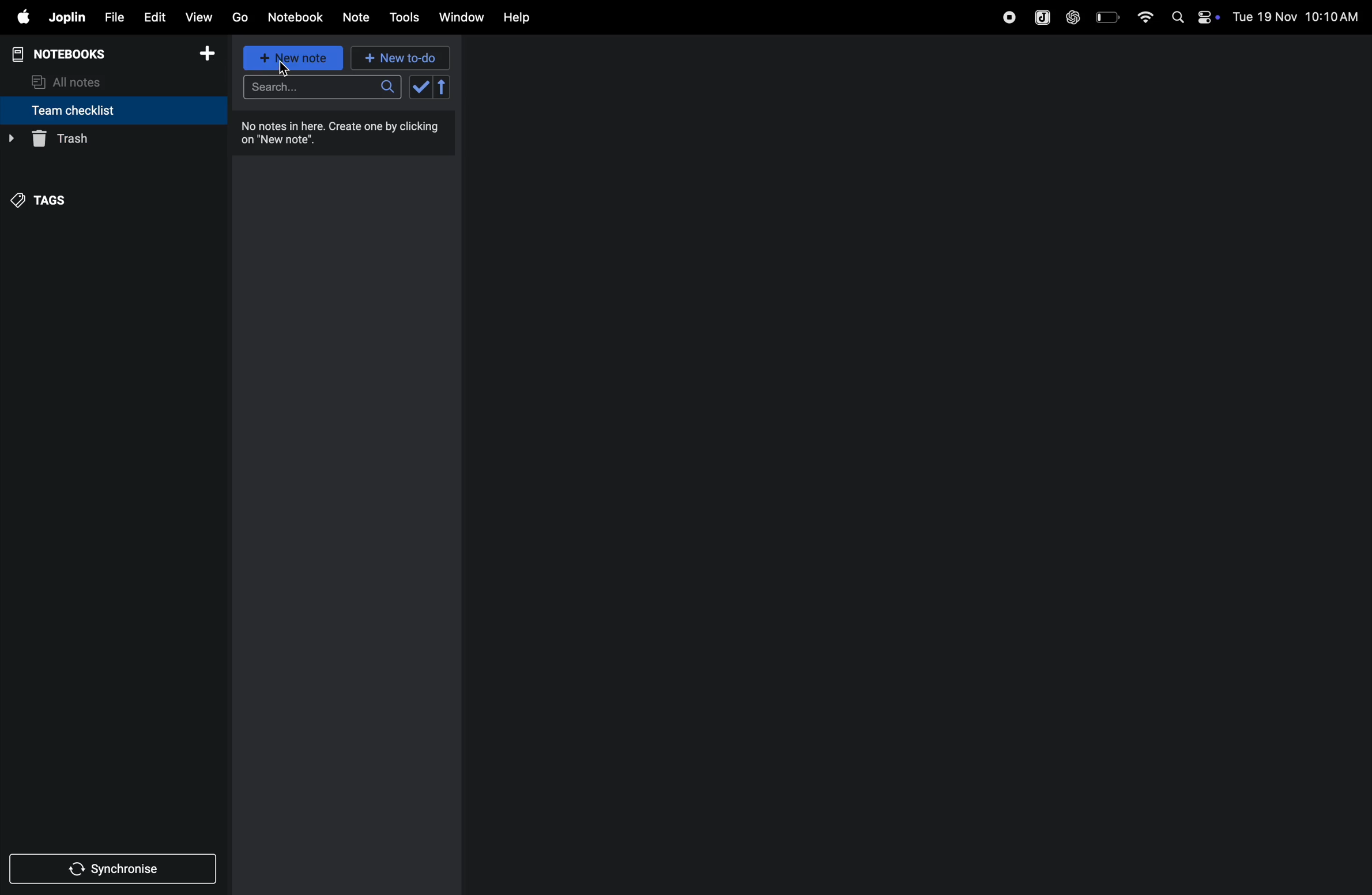 The width and height of the screenshot is (1372, 895). What do you see at coordinates (1141, 16) in the screenshot?
I see `wifi` at bounding box center [1141, 16].